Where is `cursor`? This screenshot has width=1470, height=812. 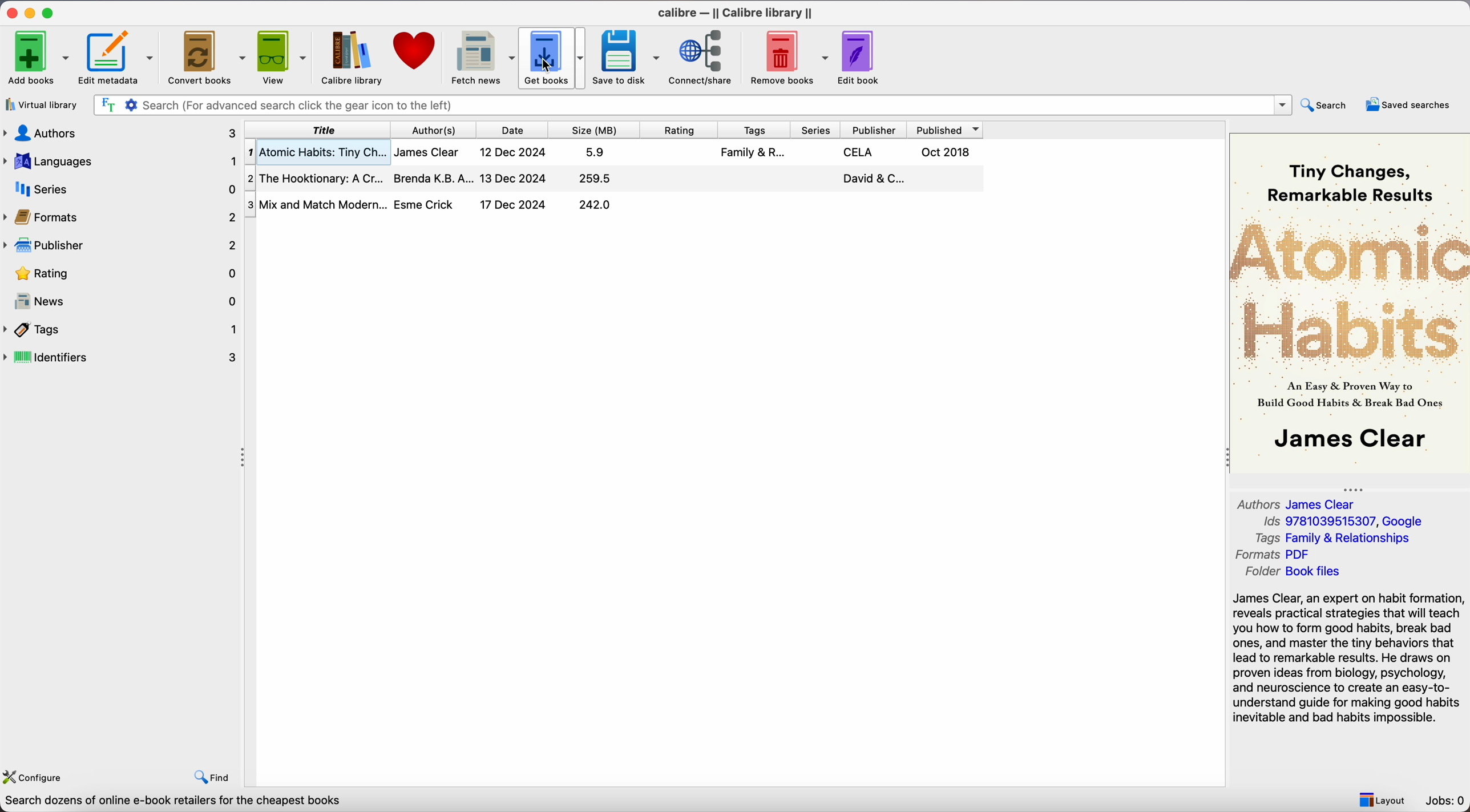 cursor is located at coordinates (546, 67).